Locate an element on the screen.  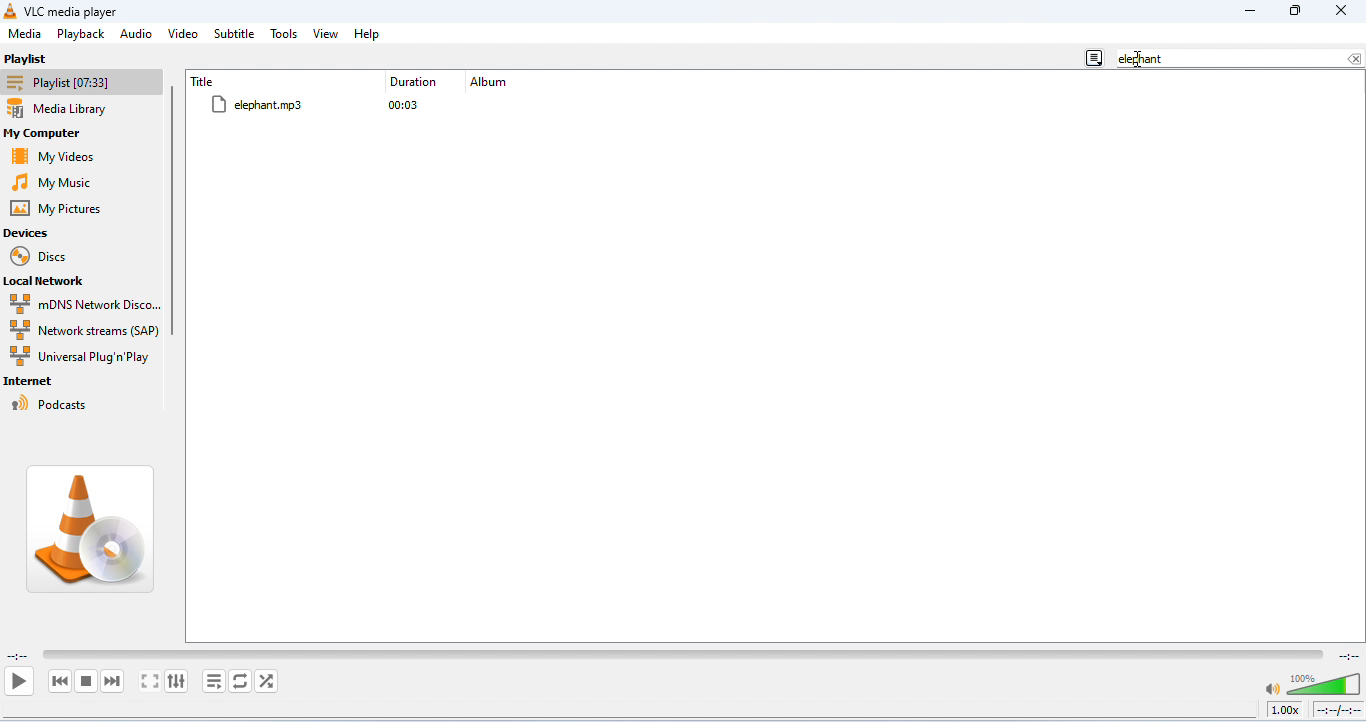
elephant.mp3 is located at coordinates (296, 105).